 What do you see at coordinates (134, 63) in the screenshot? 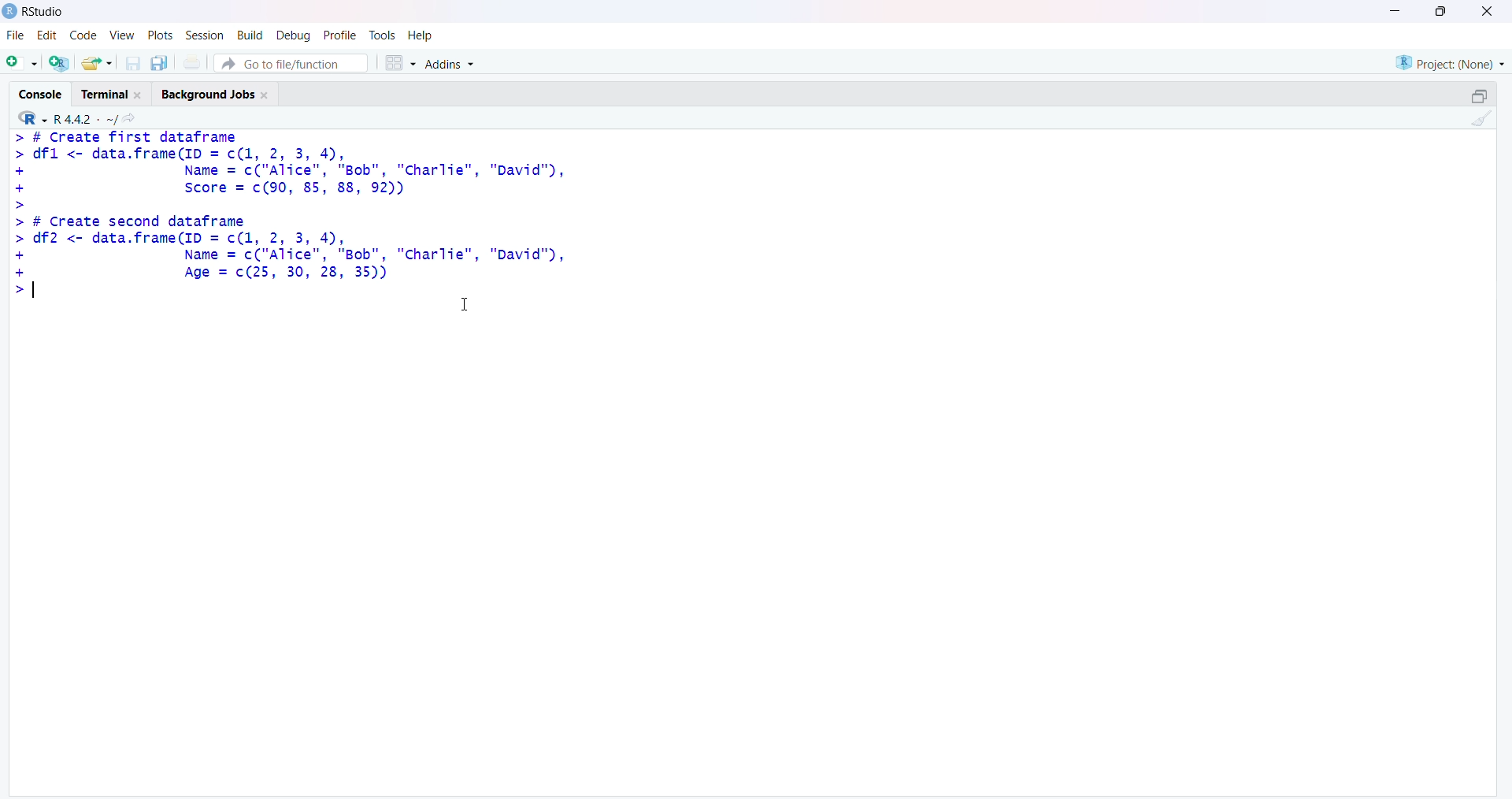
I see `save` at bounding box center [134, 63].